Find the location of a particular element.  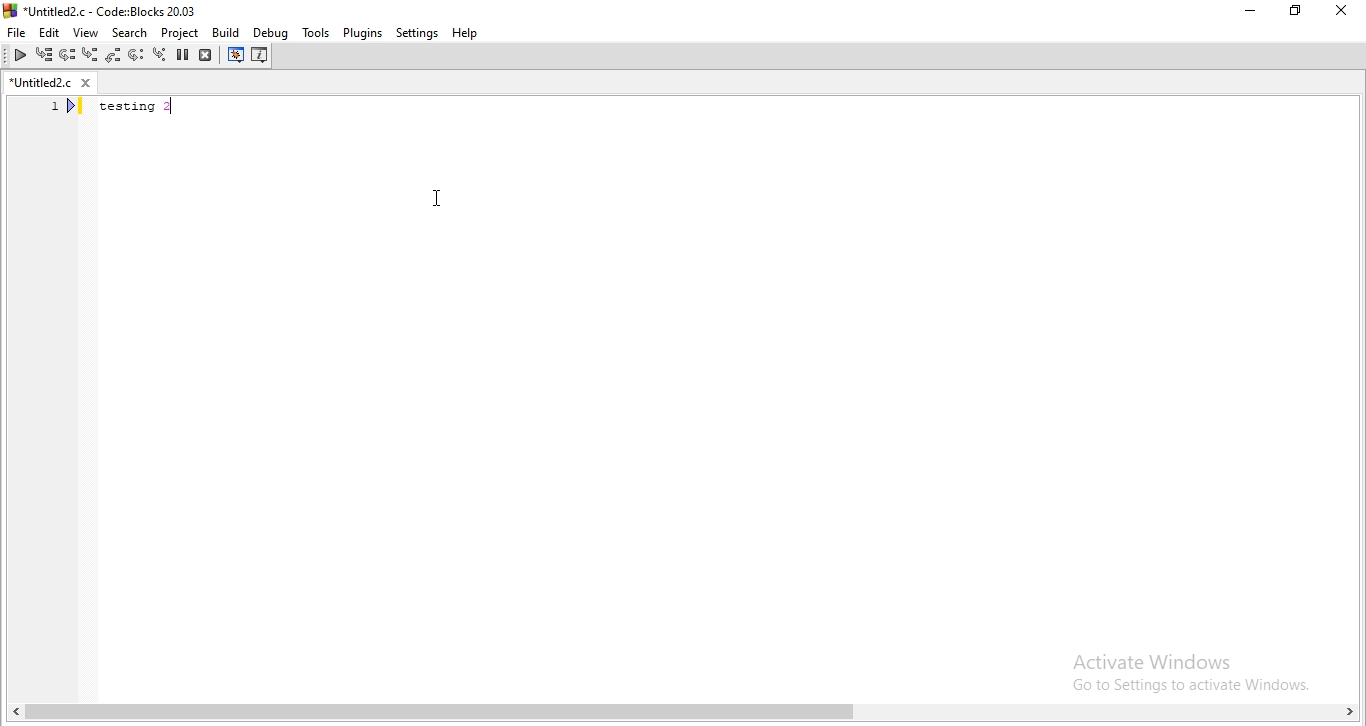

help is located at coordinates (464, 33).